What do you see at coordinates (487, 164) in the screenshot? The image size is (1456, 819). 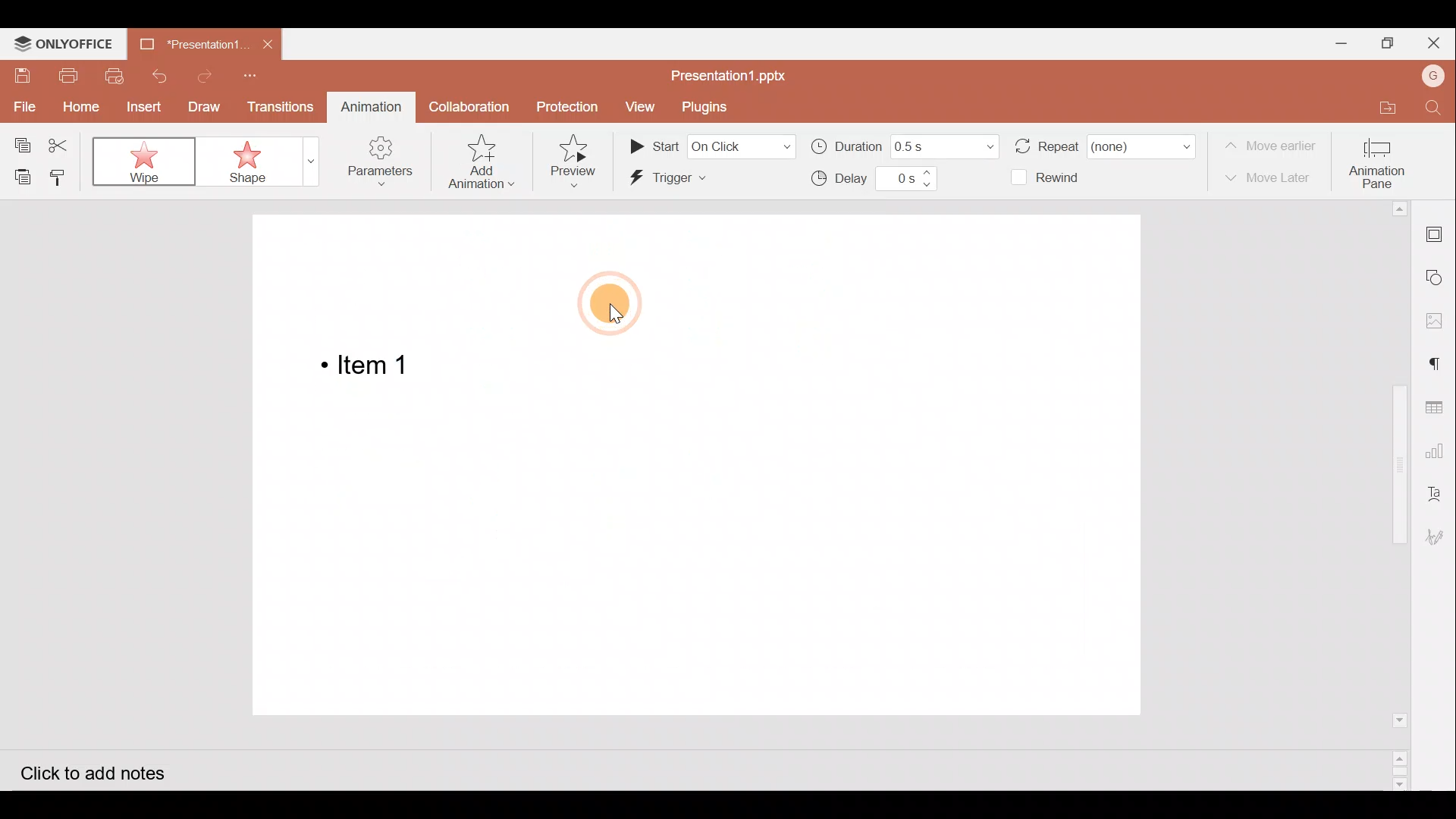 I see `Add animation` at bounding box center [487, 164].